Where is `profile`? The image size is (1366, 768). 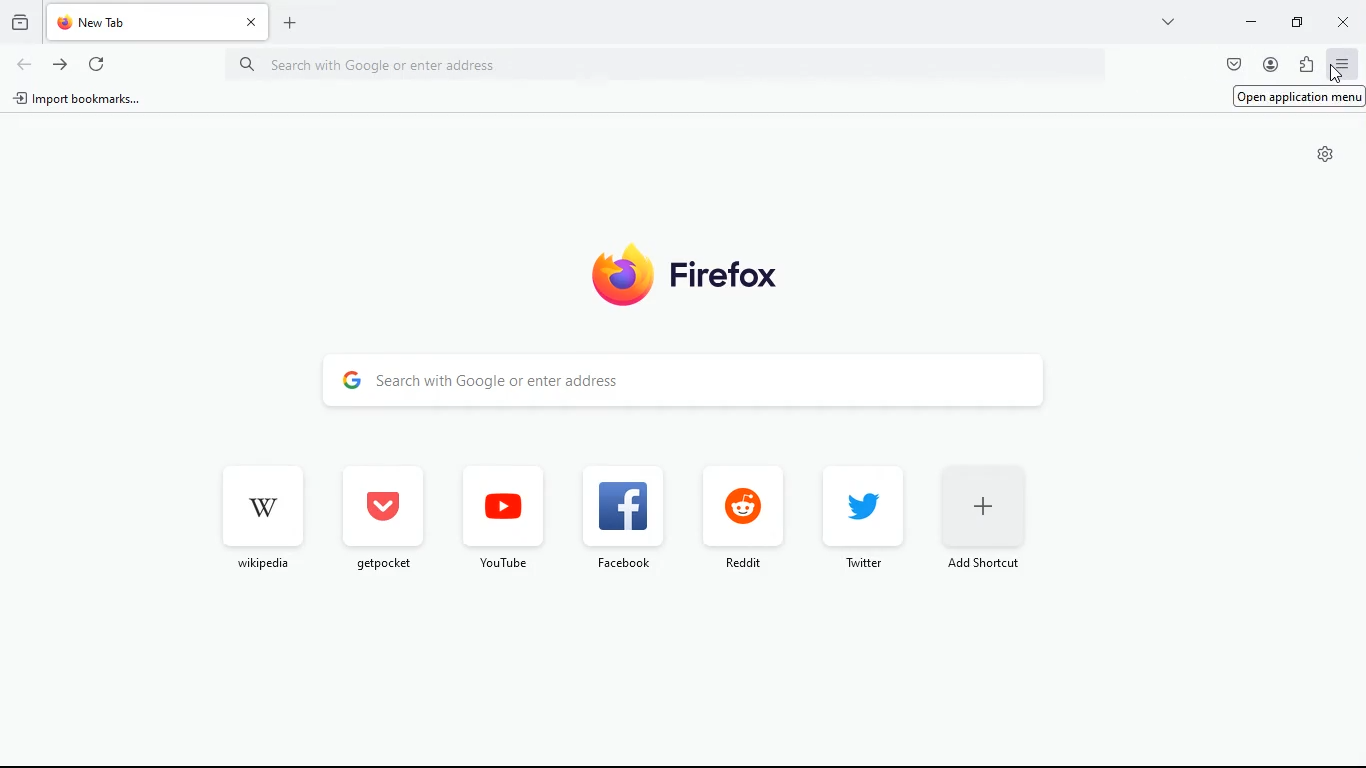 profile is located at coordinates (1271, 68).